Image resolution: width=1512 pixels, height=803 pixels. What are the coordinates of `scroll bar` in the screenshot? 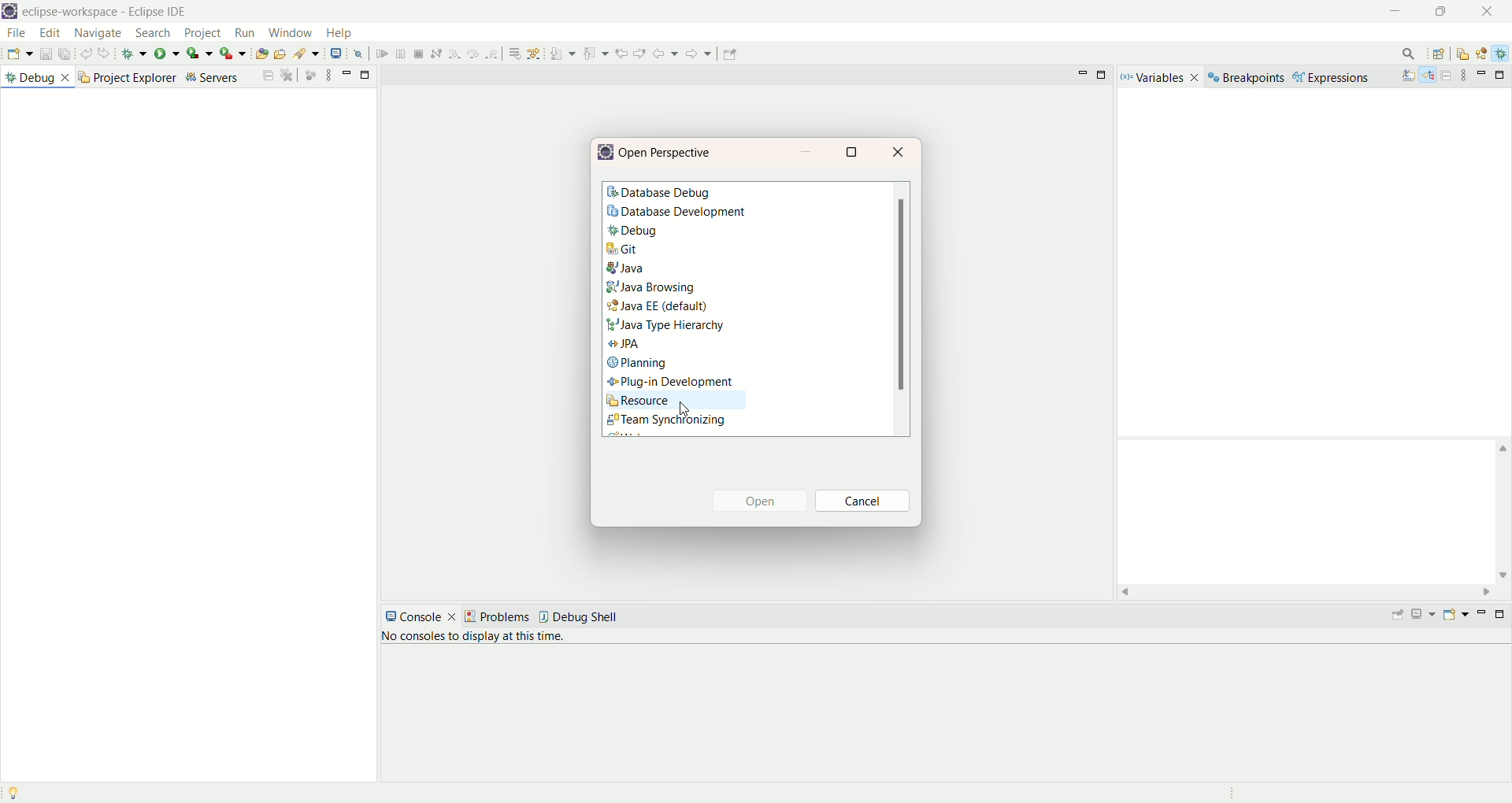 It's located at (900, 309).